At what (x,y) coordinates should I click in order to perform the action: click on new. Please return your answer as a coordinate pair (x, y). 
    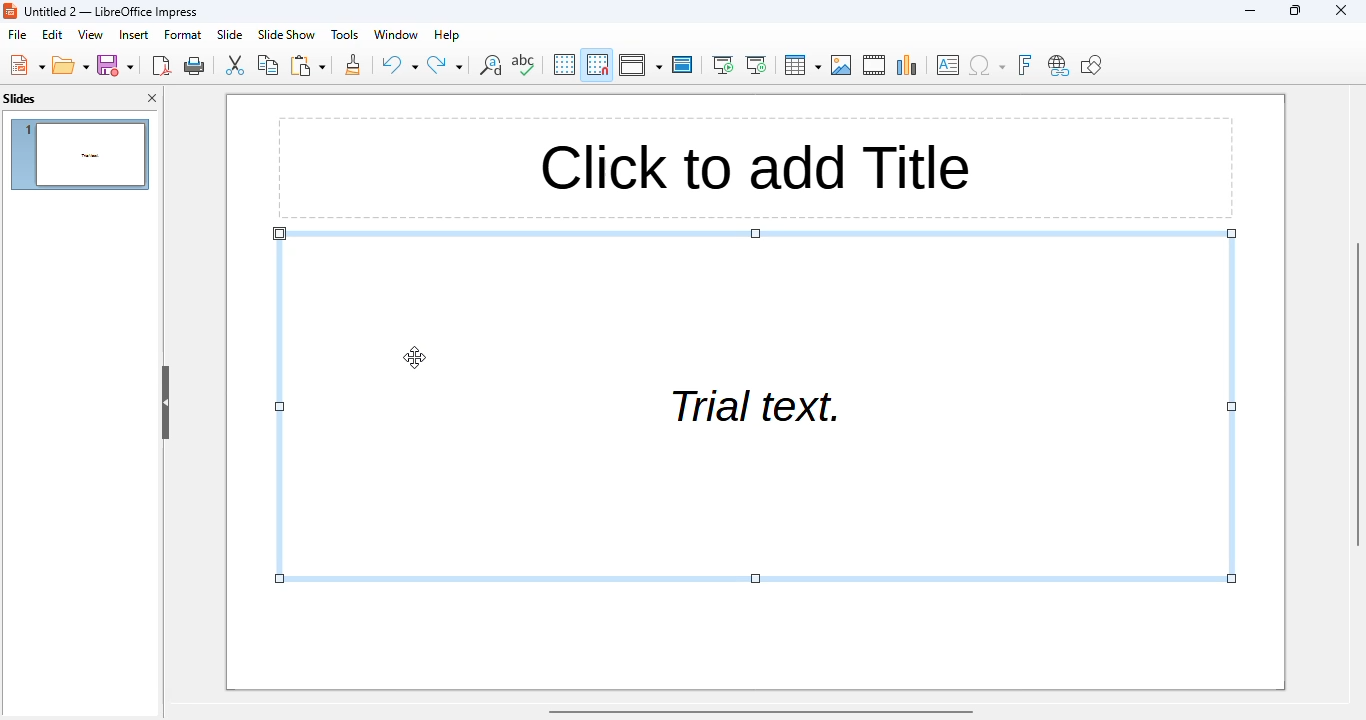
    Looking at the image, I should click on (116, 66).